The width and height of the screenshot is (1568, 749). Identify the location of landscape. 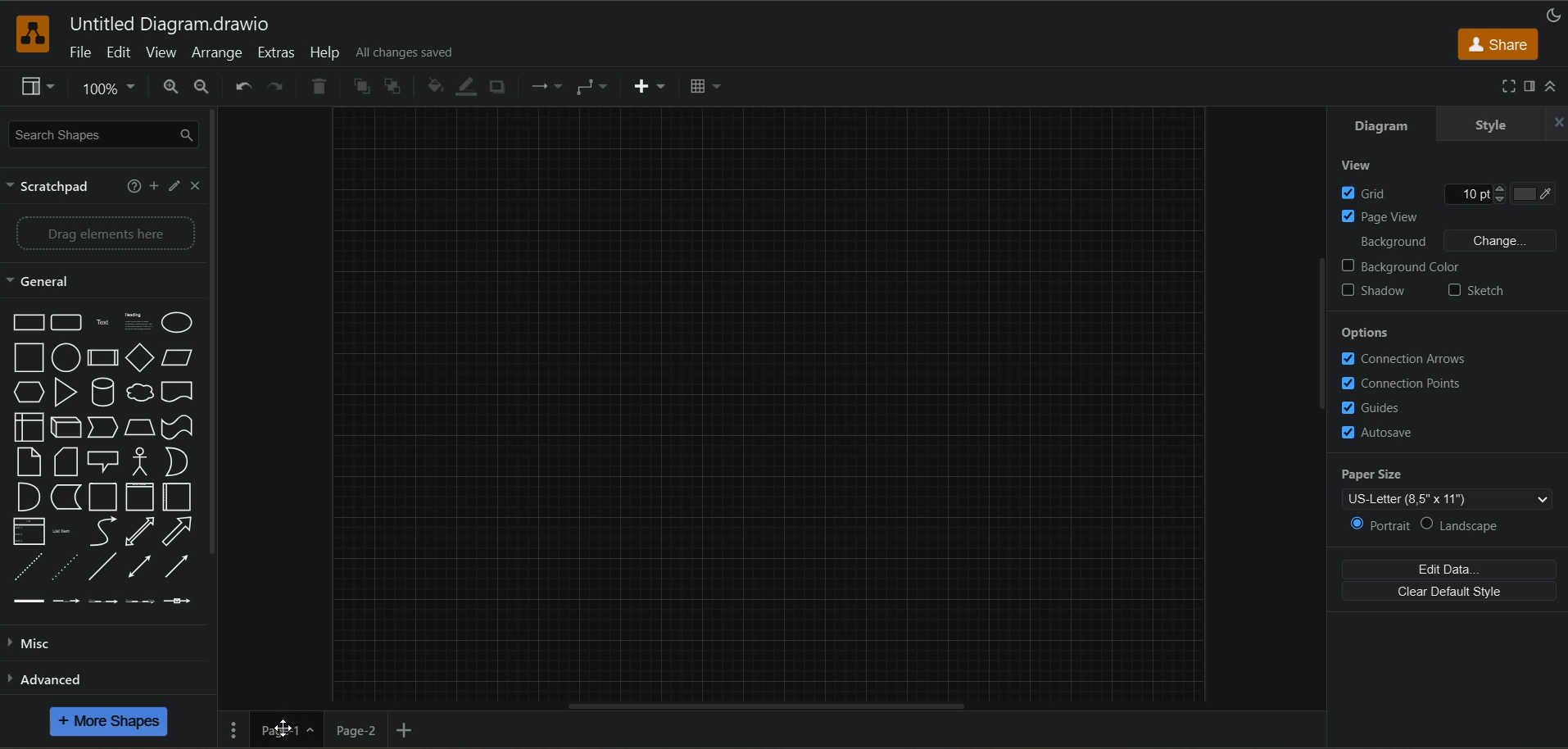
(1471, 522).